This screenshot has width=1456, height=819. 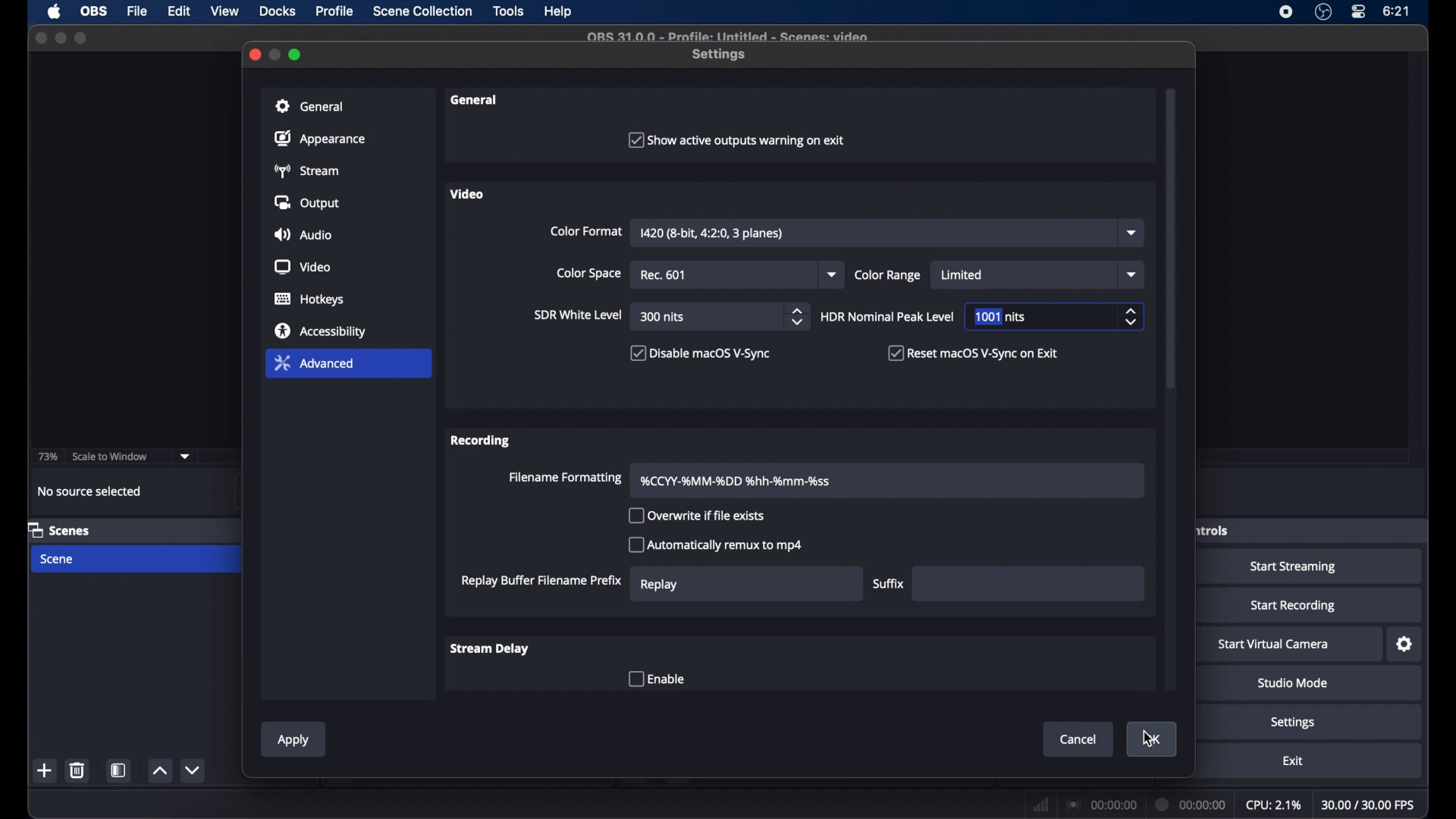 I want to click on maximize, so click(x=82, y=38).